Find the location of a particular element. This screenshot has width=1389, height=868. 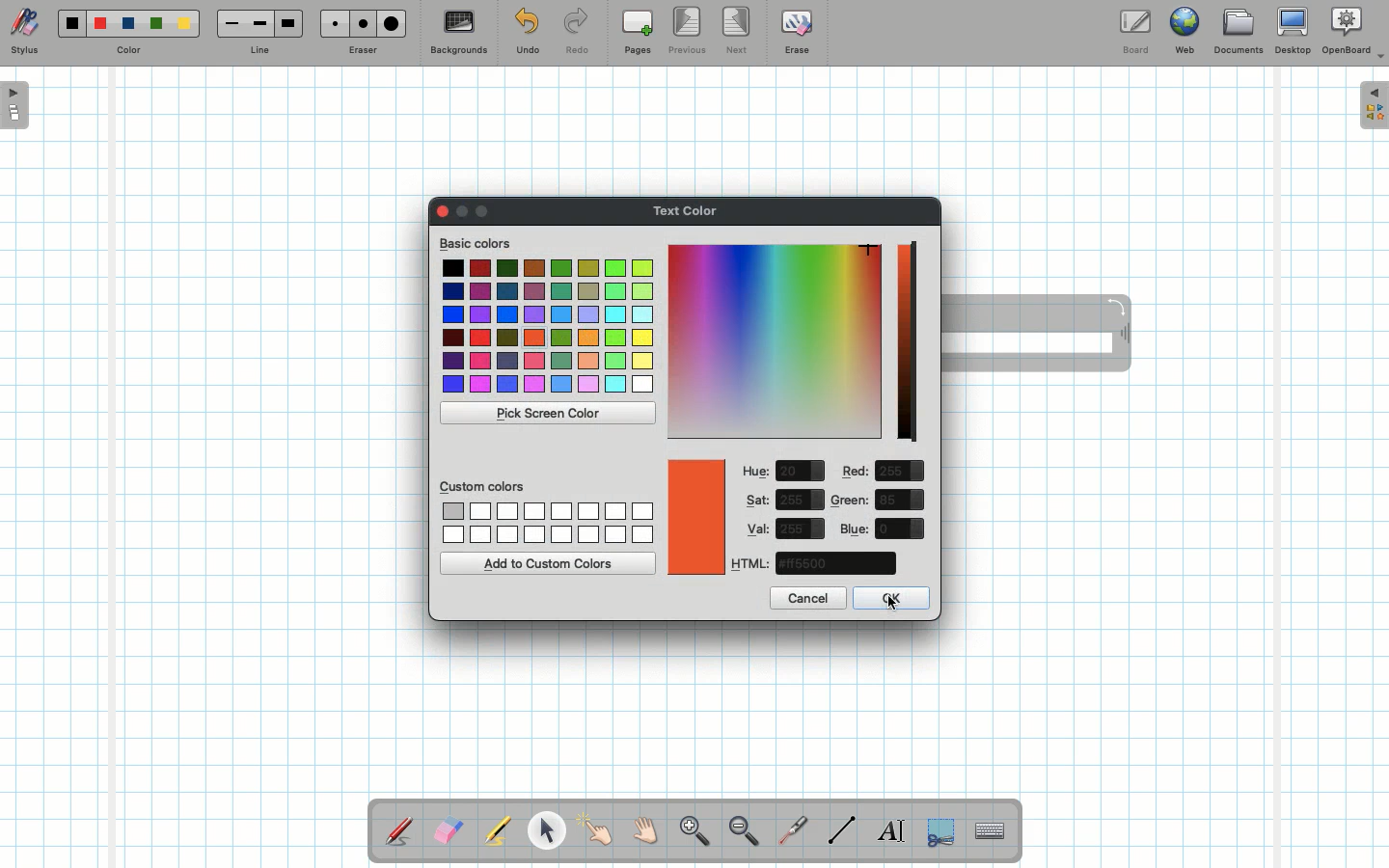

Darkness is located at coordinates (912, 343).